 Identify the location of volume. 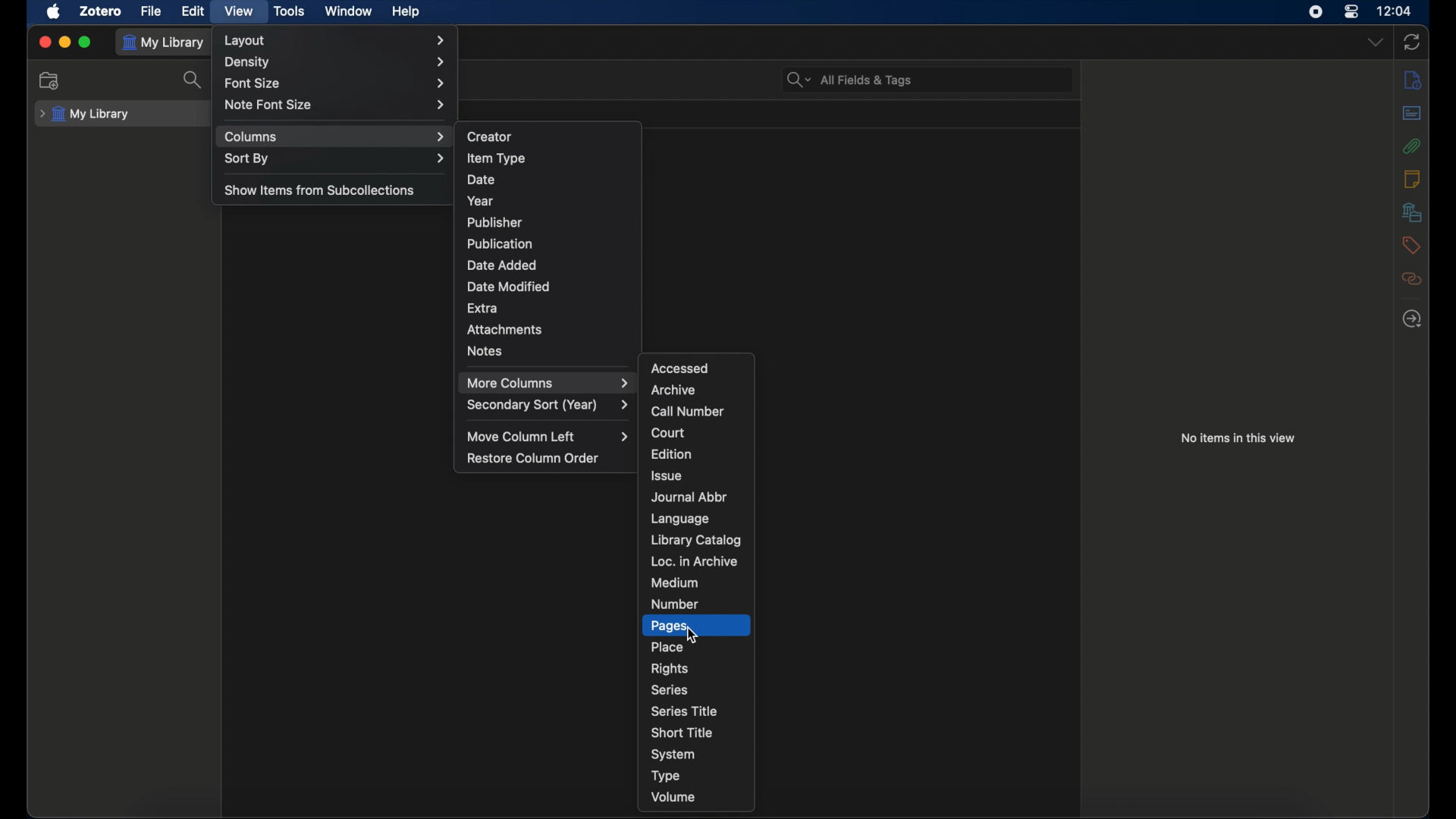
(674, 796).